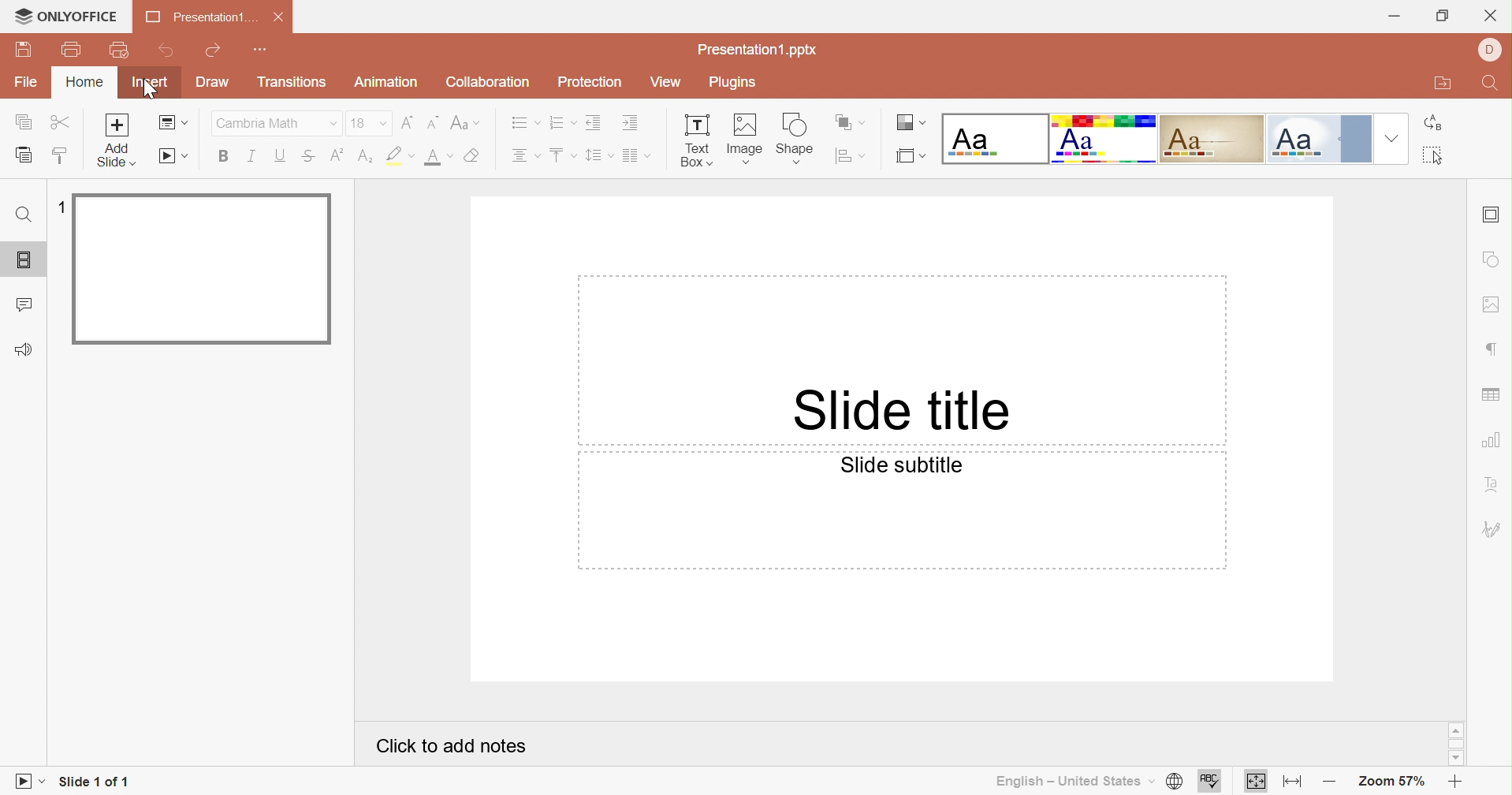 The image size is (1512, 795). Describe the element at coordinates (1492, 212) in the screenshot. I see `Slide settings` at that location.